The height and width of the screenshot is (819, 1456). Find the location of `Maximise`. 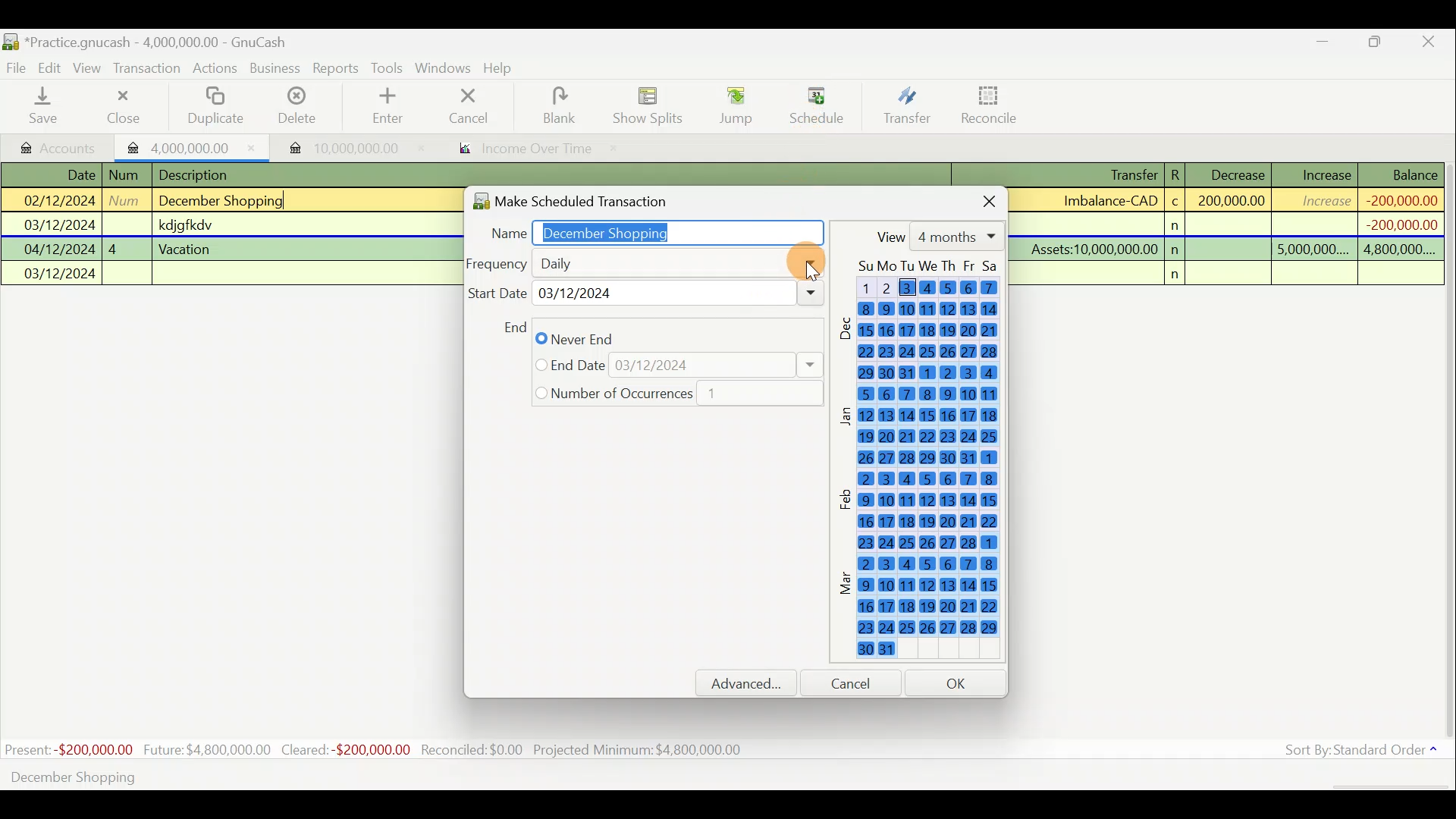

Maximise is located at coordinates (1376, 44).